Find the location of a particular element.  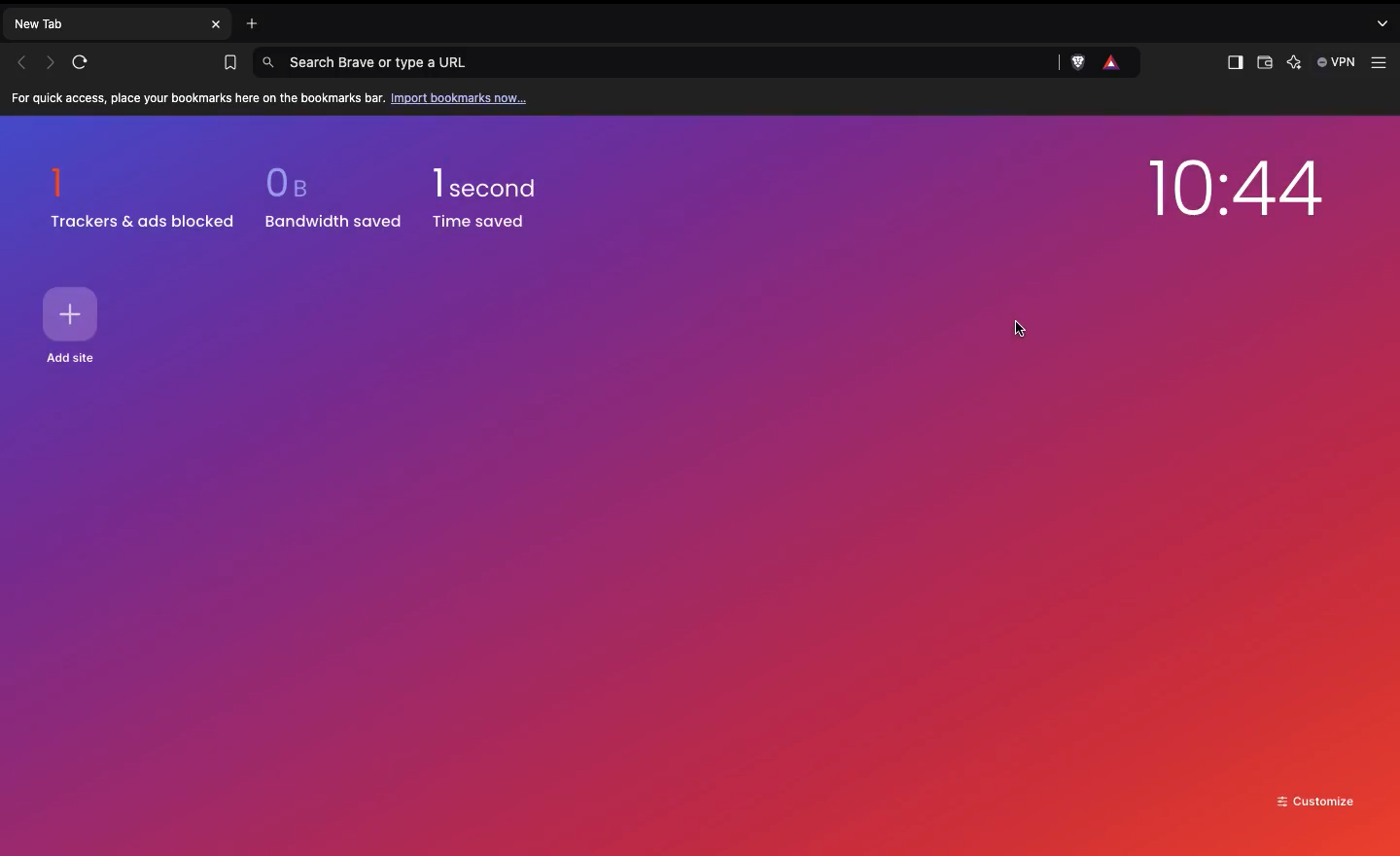

Next page is located at coordinates (52, 61).